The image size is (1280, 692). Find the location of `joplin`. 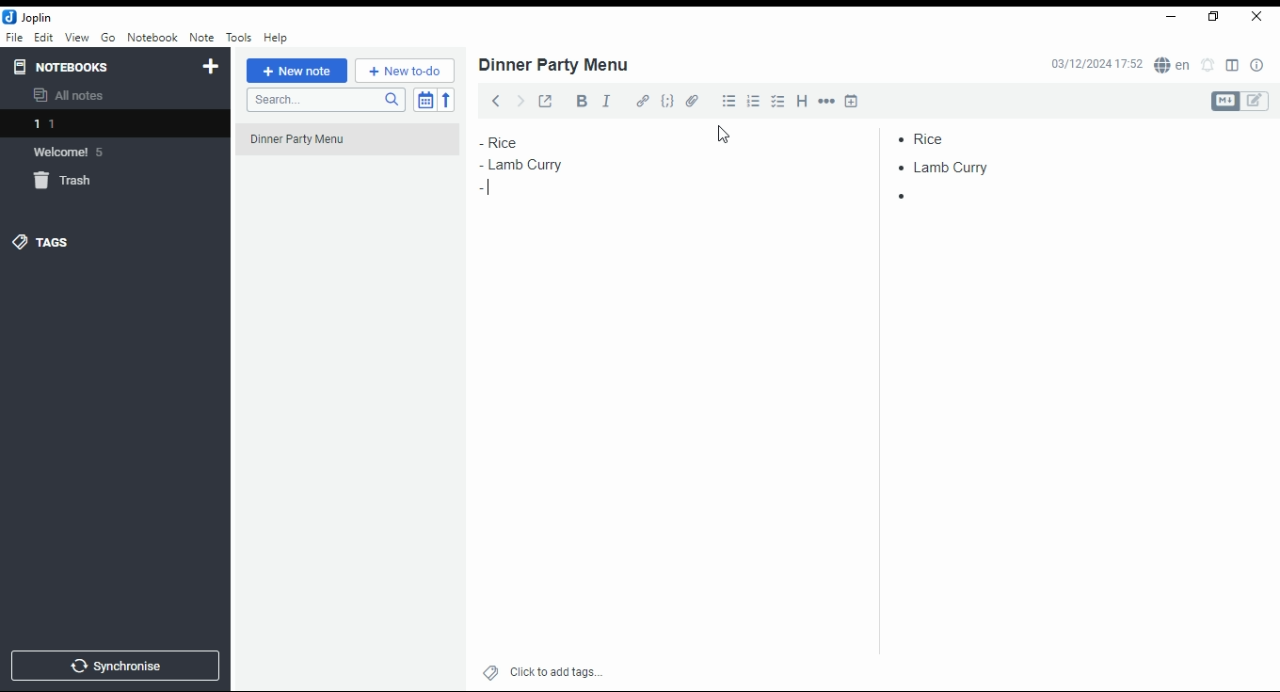

joplin is located at coordinates (29, 17).